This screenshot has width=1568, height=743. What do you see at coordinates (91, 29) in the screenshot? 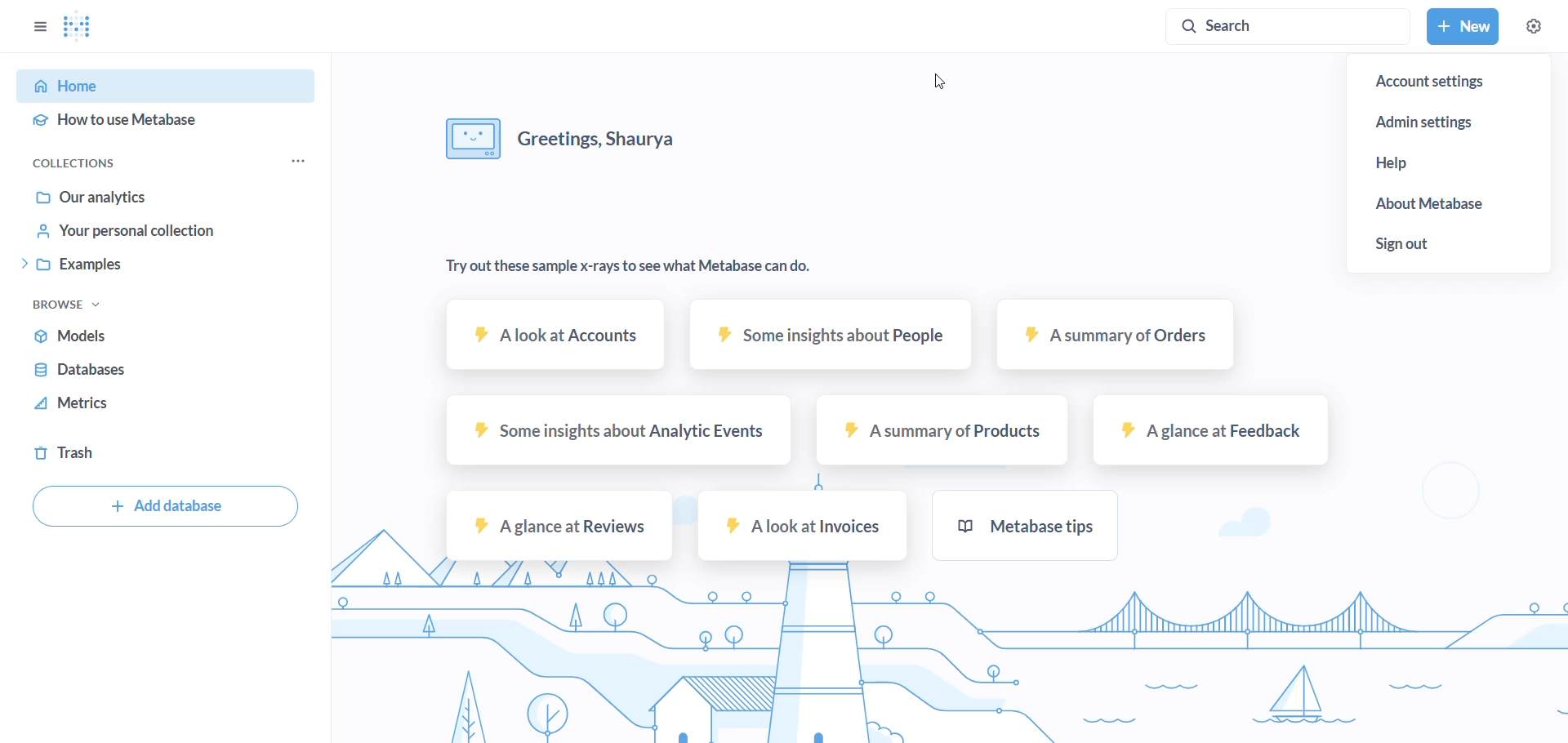
I see `LOGO` at bounding box center [91, 29].